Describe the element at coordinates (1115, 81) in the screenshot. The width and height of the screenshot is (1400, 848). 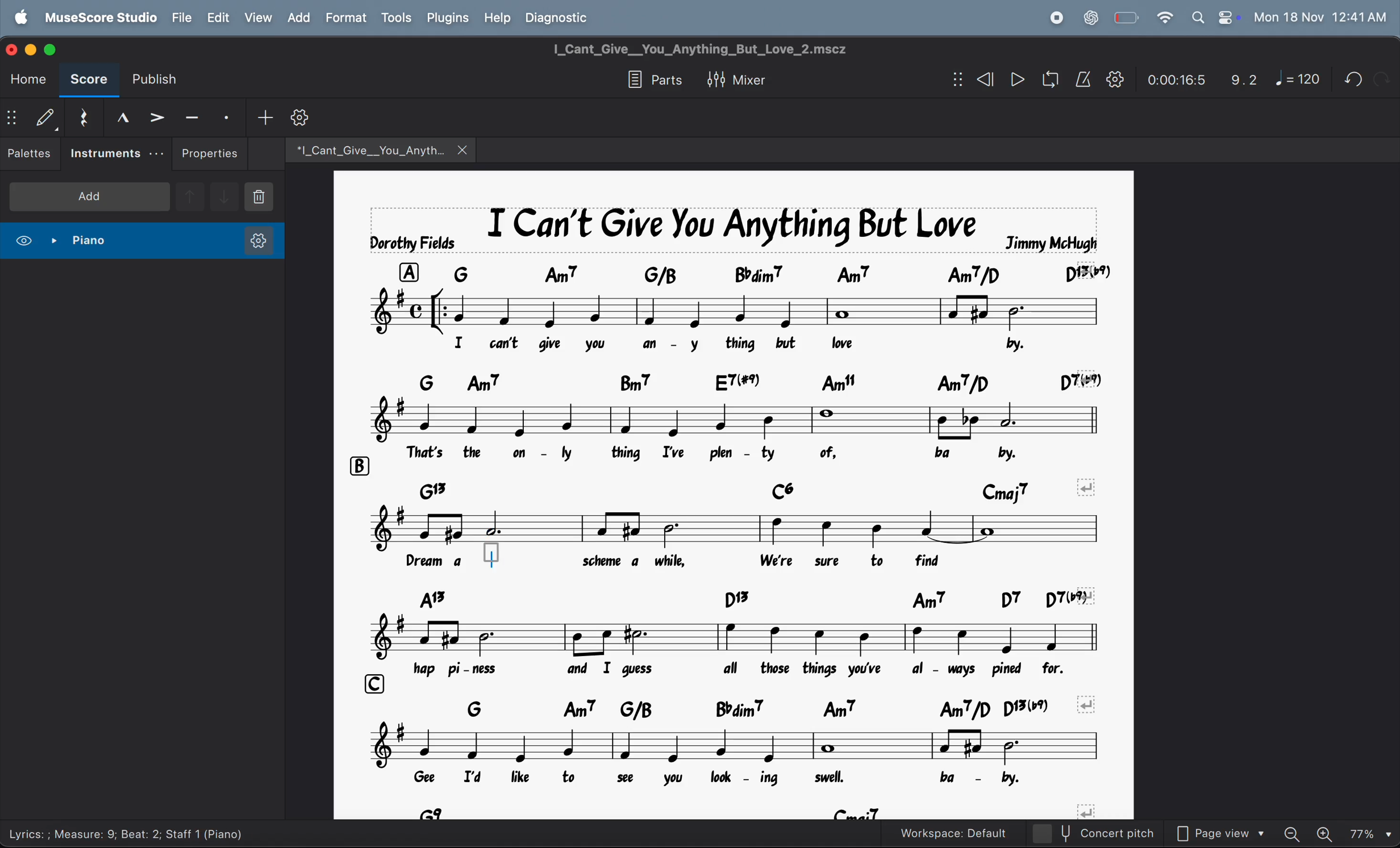
I see `play back settings` at that location.